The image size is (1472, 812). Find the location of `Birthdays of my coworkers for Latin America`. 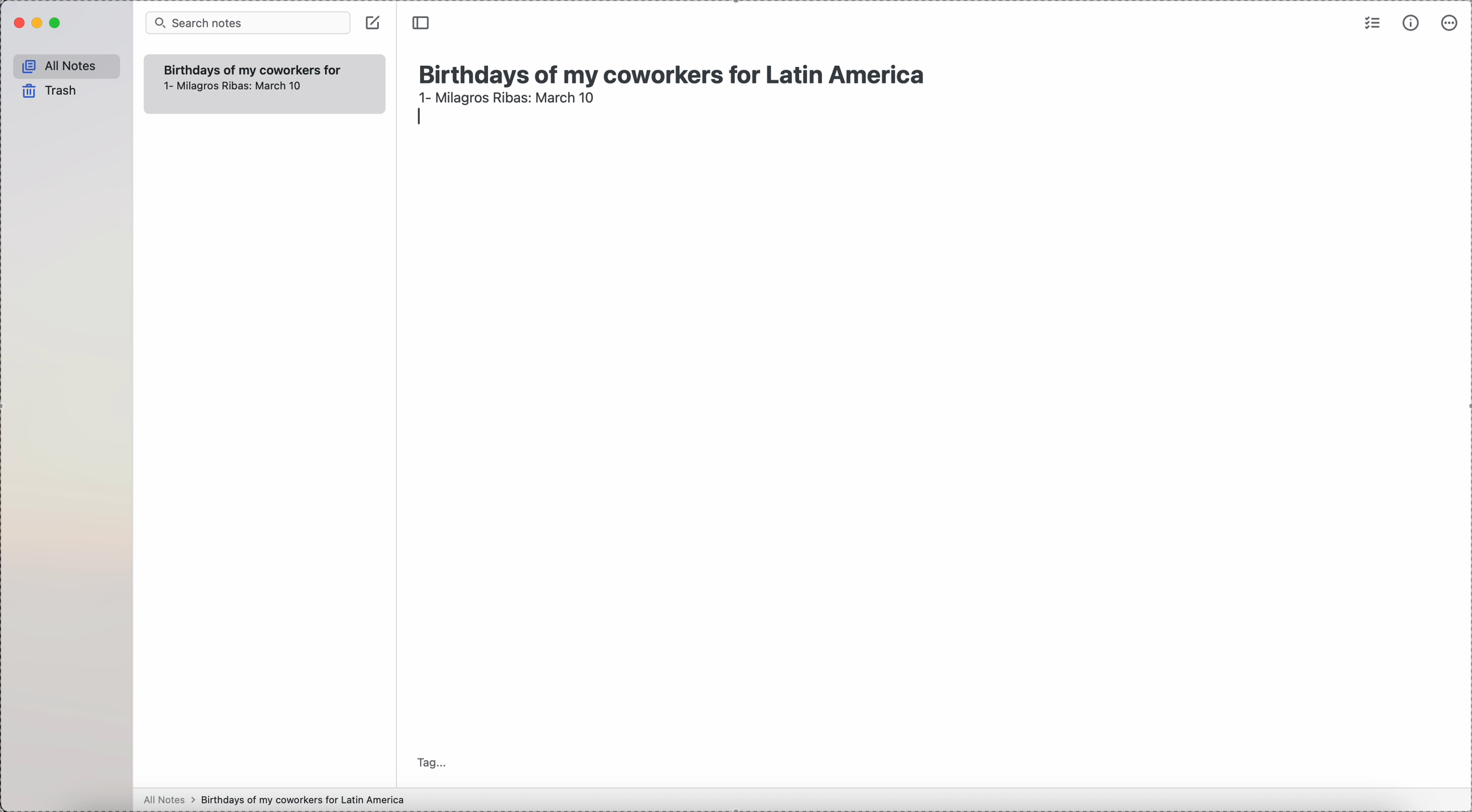

Birthdays of my coworkers for Latin America is located at coordinates (677, 70).